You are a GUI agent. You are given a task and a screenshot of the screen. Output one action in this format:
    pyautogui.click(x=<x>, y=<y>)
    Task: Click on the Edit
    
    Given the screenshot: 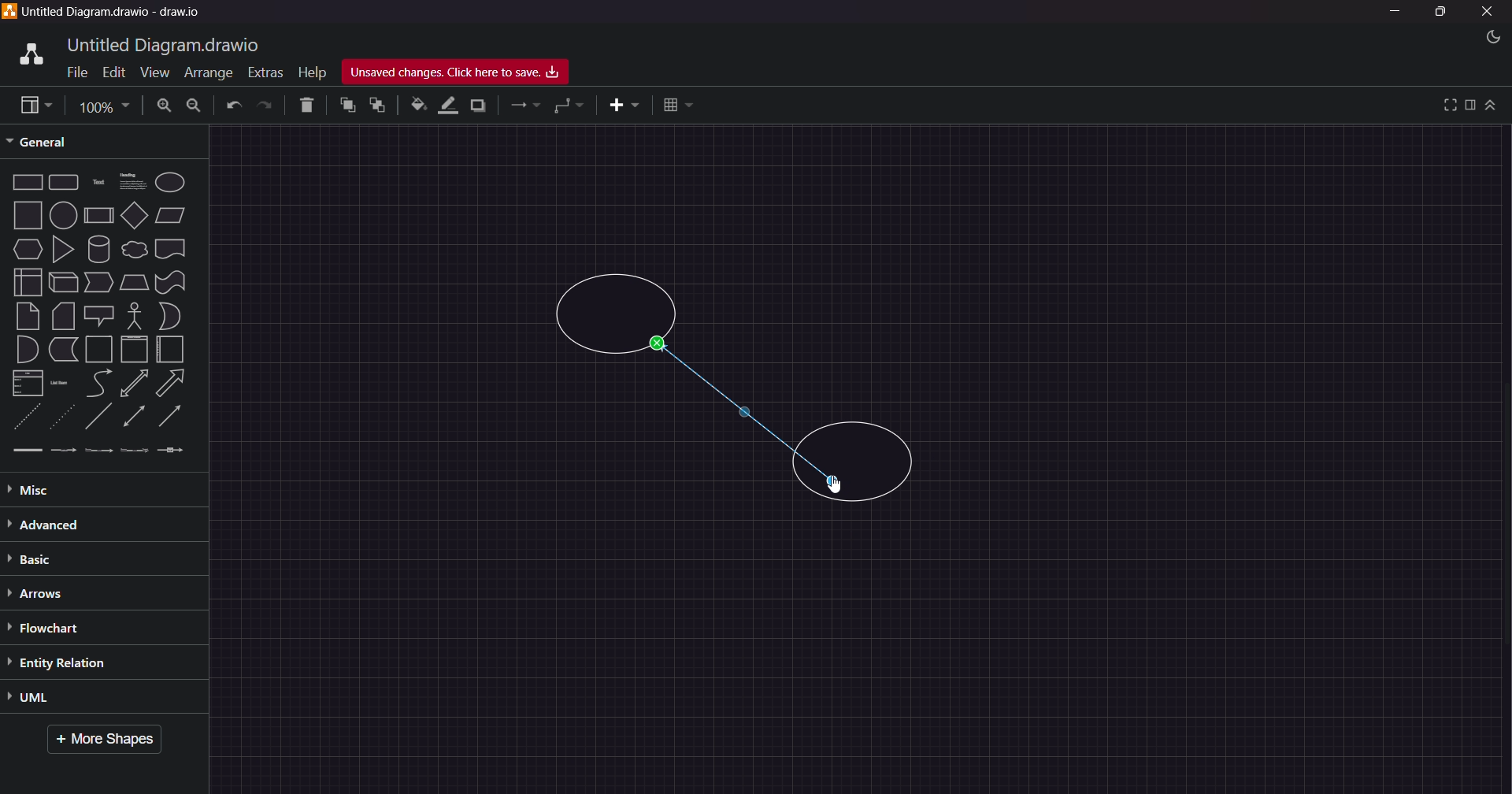 What is the action you would take?
    pyautogui.click(x=110, y=71)
    